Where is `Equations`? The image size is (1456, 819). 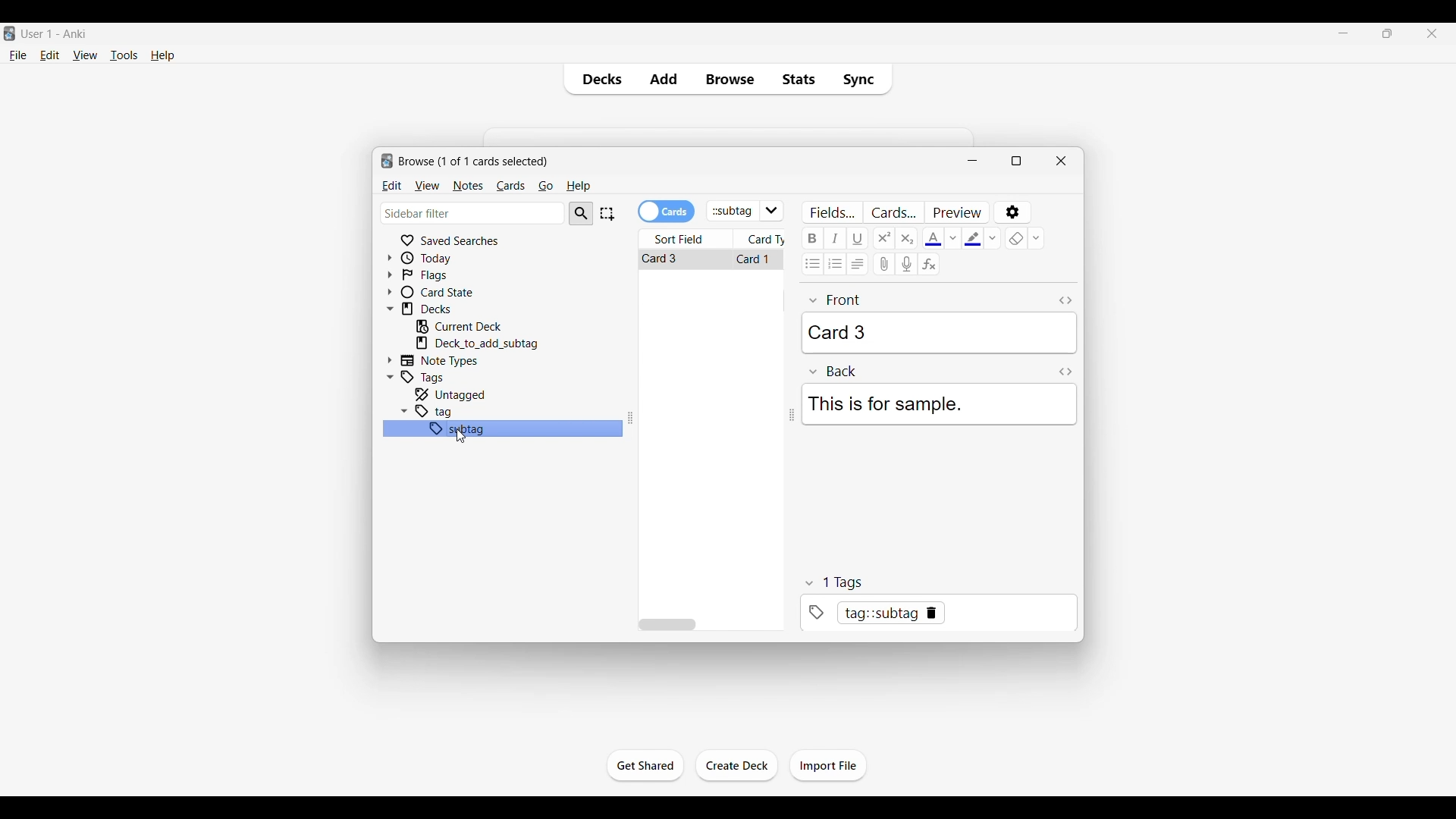
Equations is located at coordinates (929, 263).